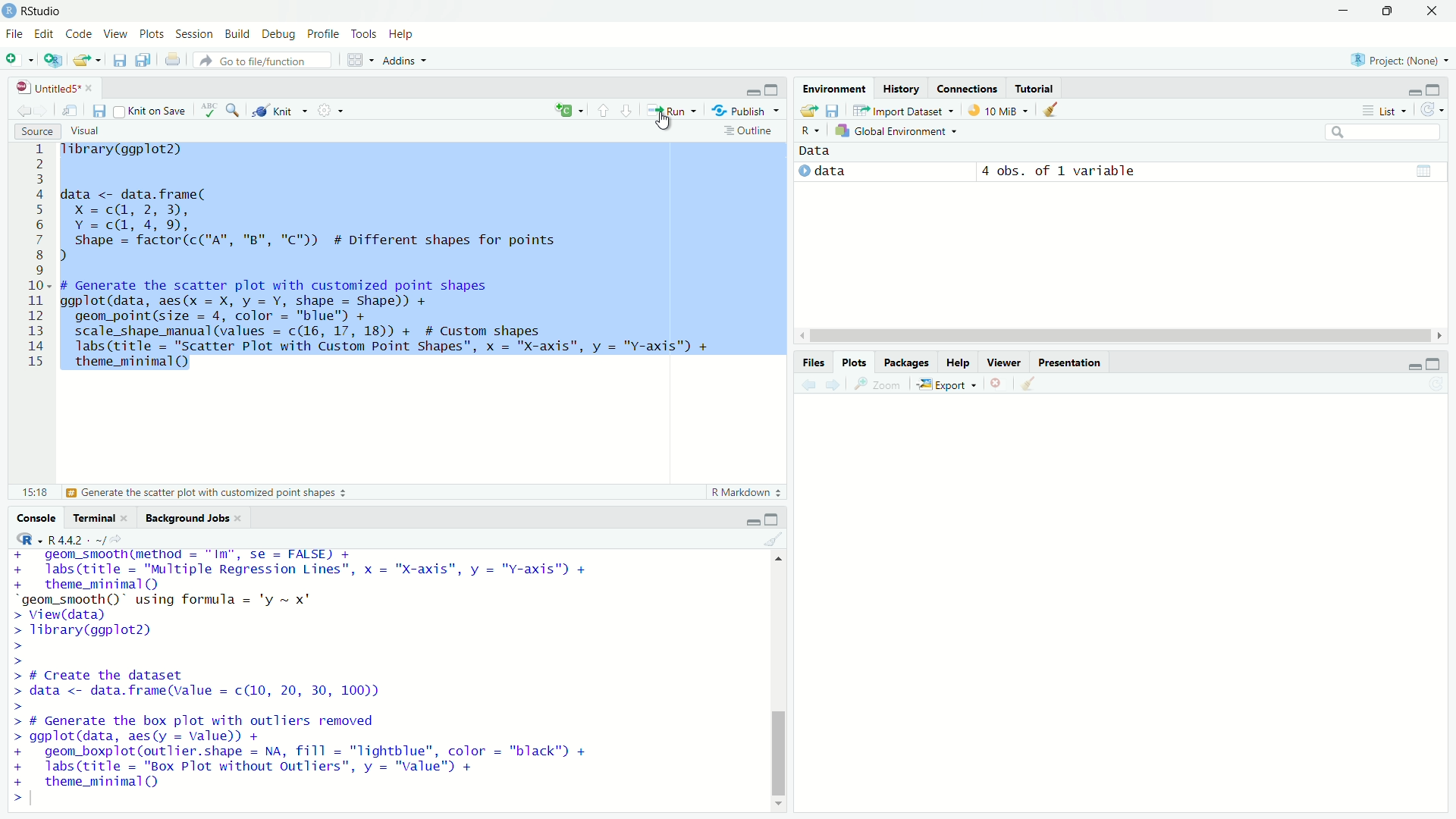 The height and width of the screenshot is (819, 1456). Describe the element at coordinates (625, 109) in the screenshot. I see `Go to next section/chunk` at that location.